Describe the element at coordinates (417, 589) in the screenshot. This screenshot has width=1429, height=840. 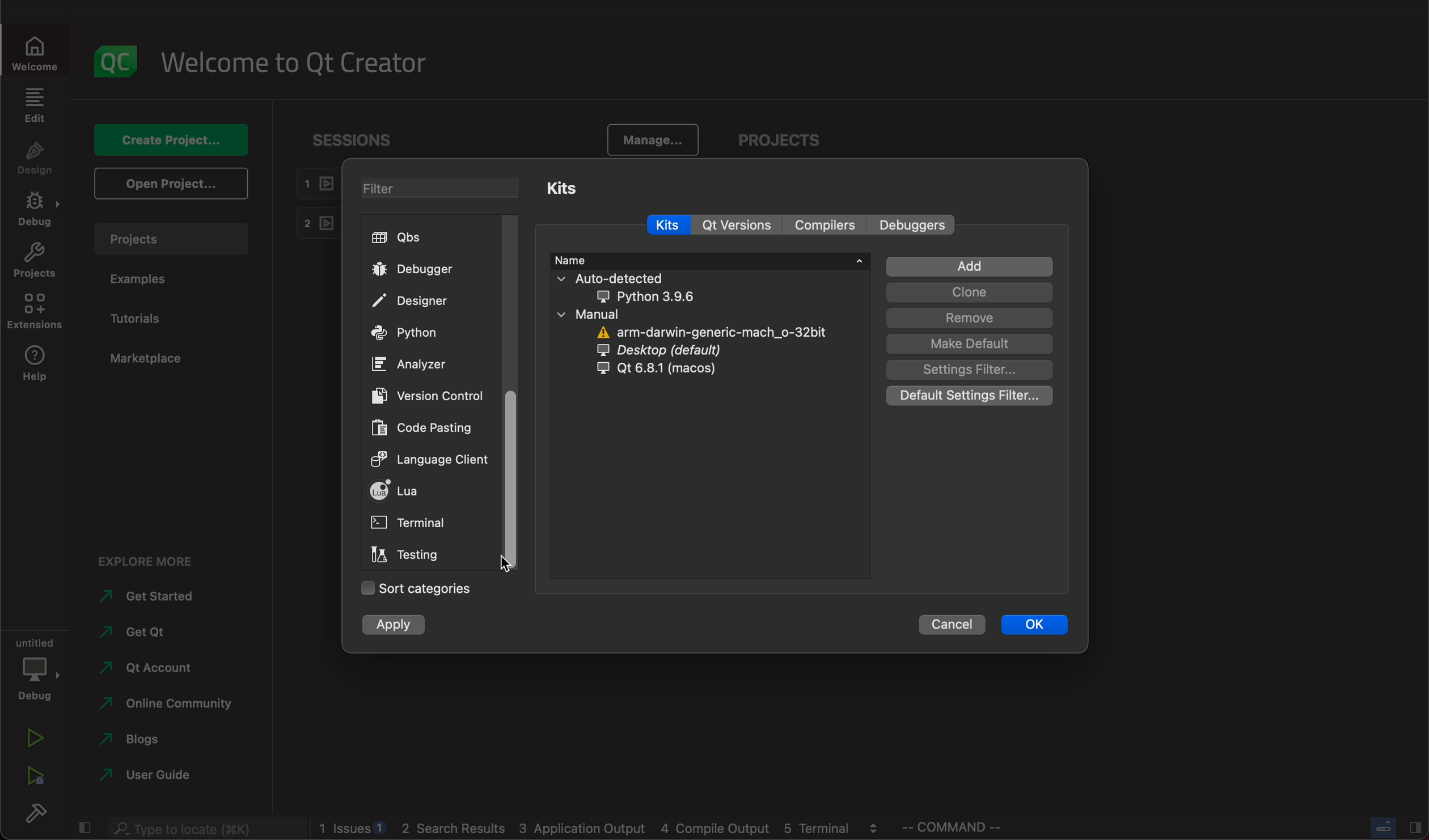
I see `sort categories` at that location.